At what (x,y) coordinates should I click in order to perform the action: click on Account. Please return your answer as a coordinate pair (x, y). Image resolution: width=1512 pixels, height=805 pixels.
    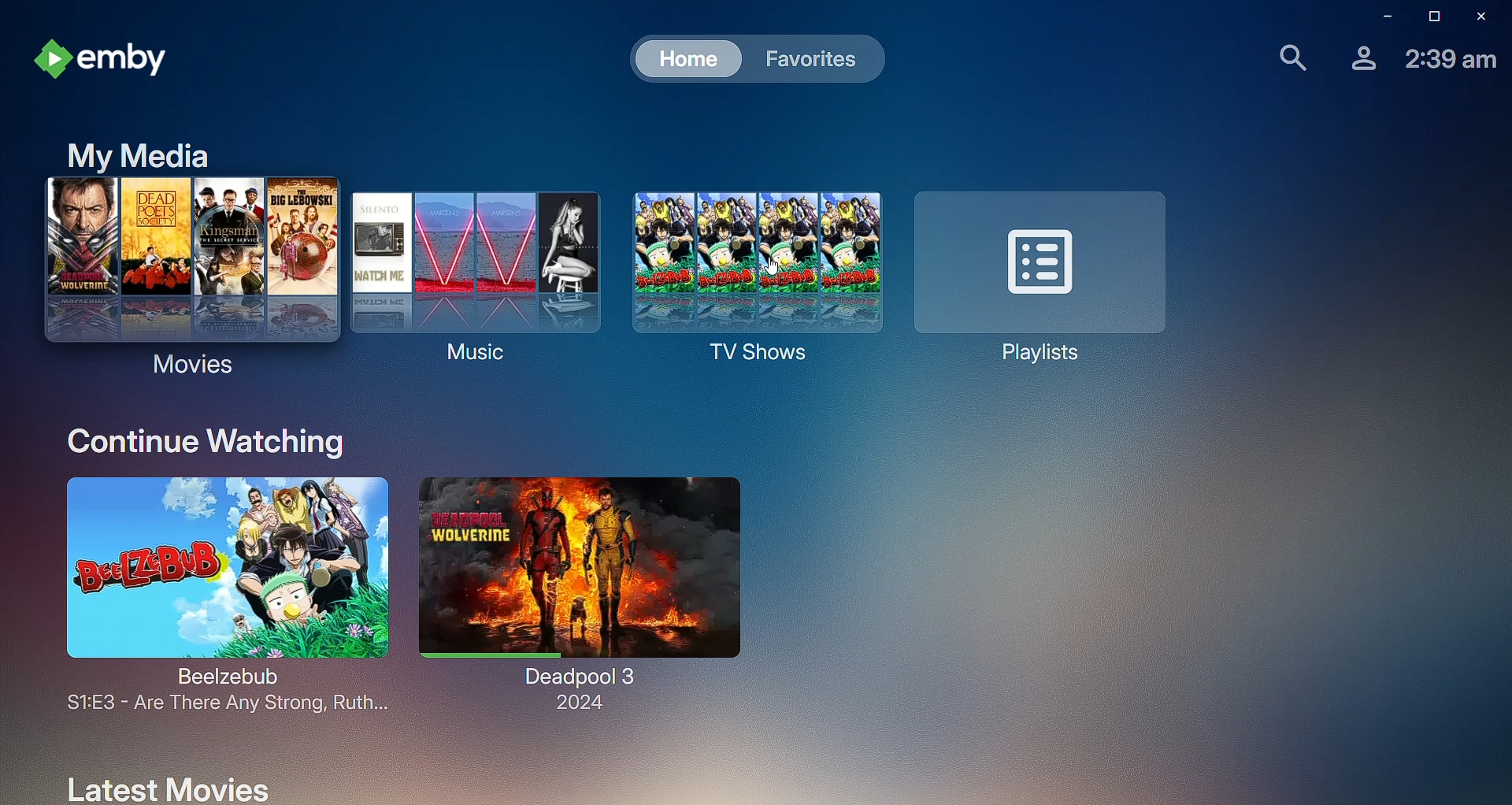
    Looking at the image, I should click on (1358, 60).